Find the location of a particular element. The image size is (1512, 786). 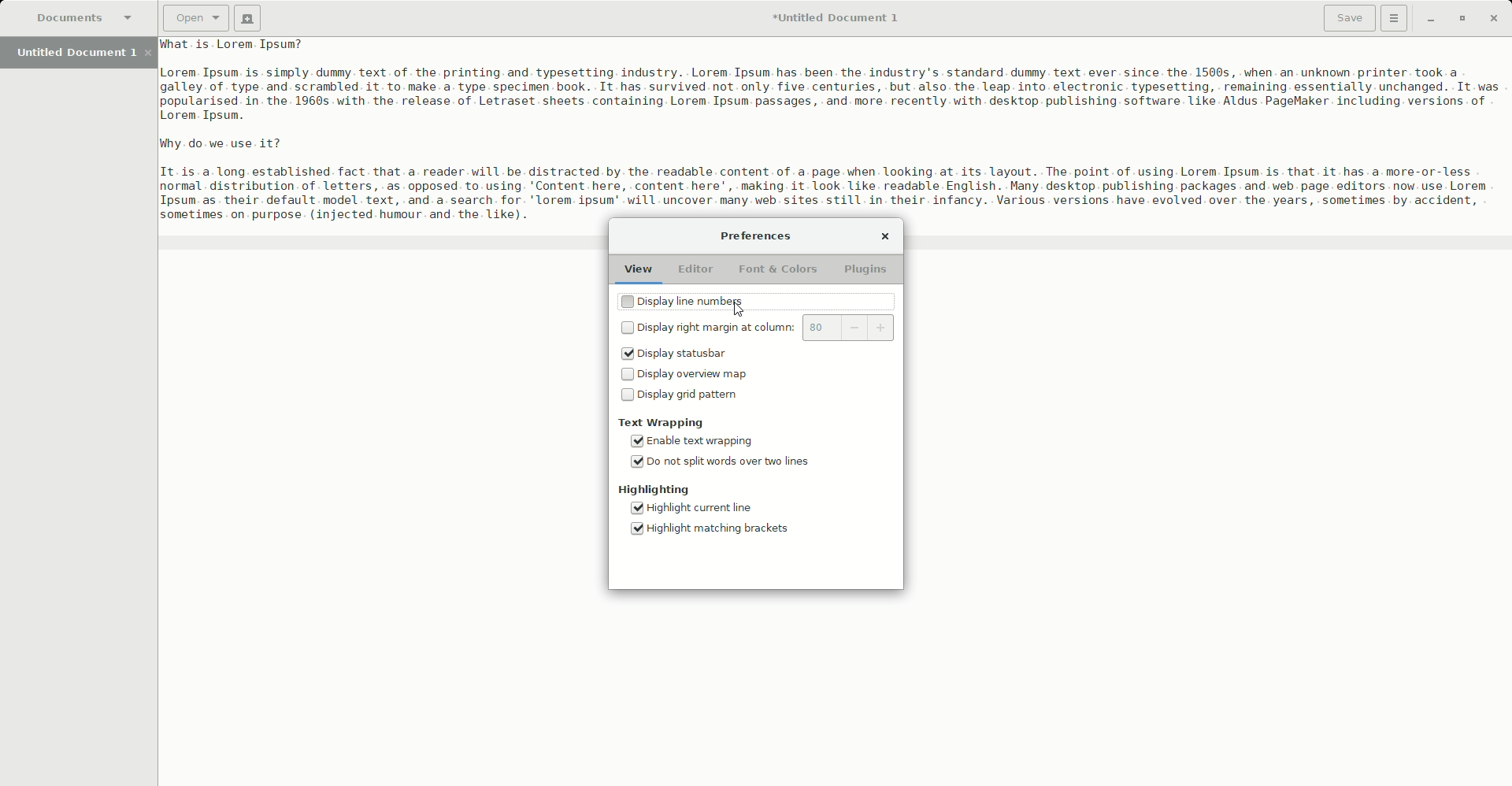

80 is located at coordinates (850, 328).